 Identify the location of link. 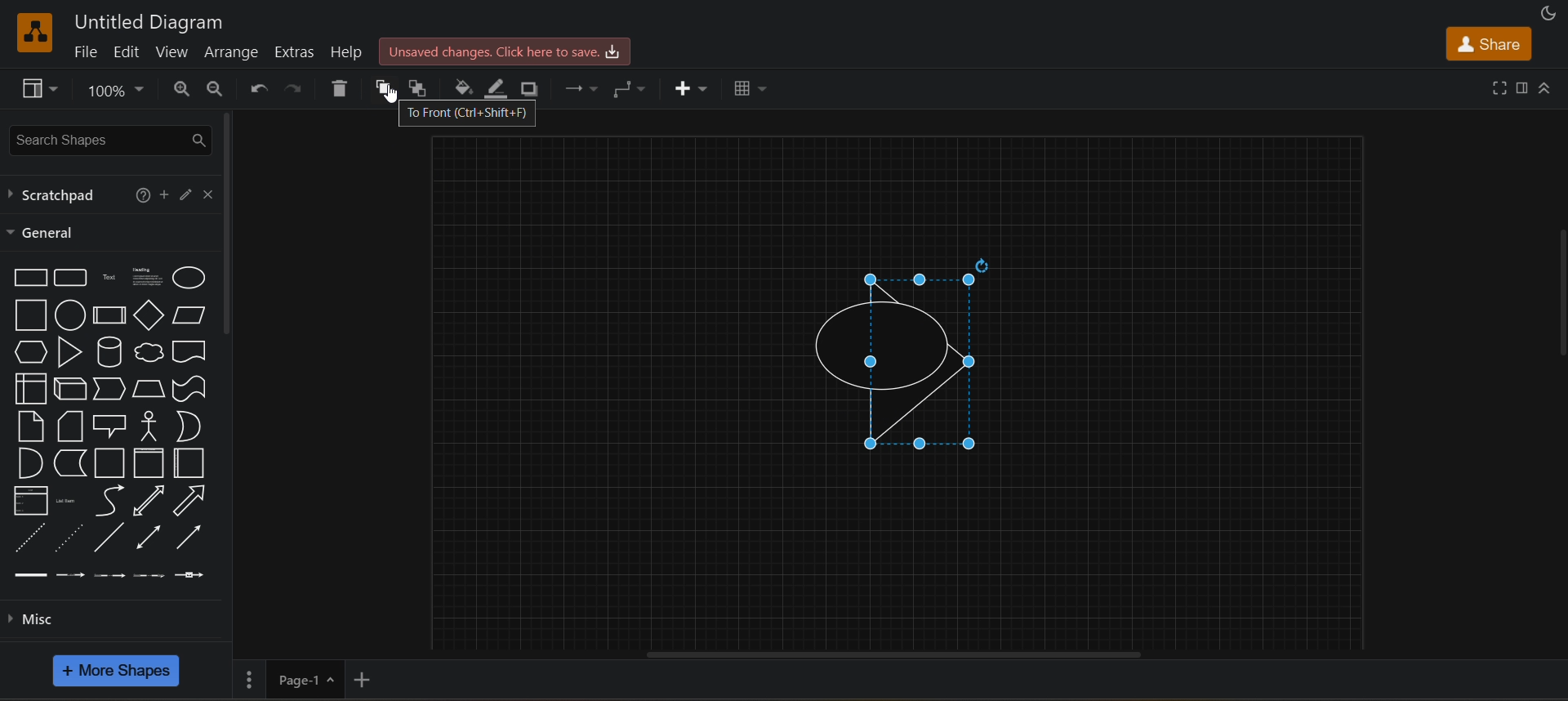
(30, 575).